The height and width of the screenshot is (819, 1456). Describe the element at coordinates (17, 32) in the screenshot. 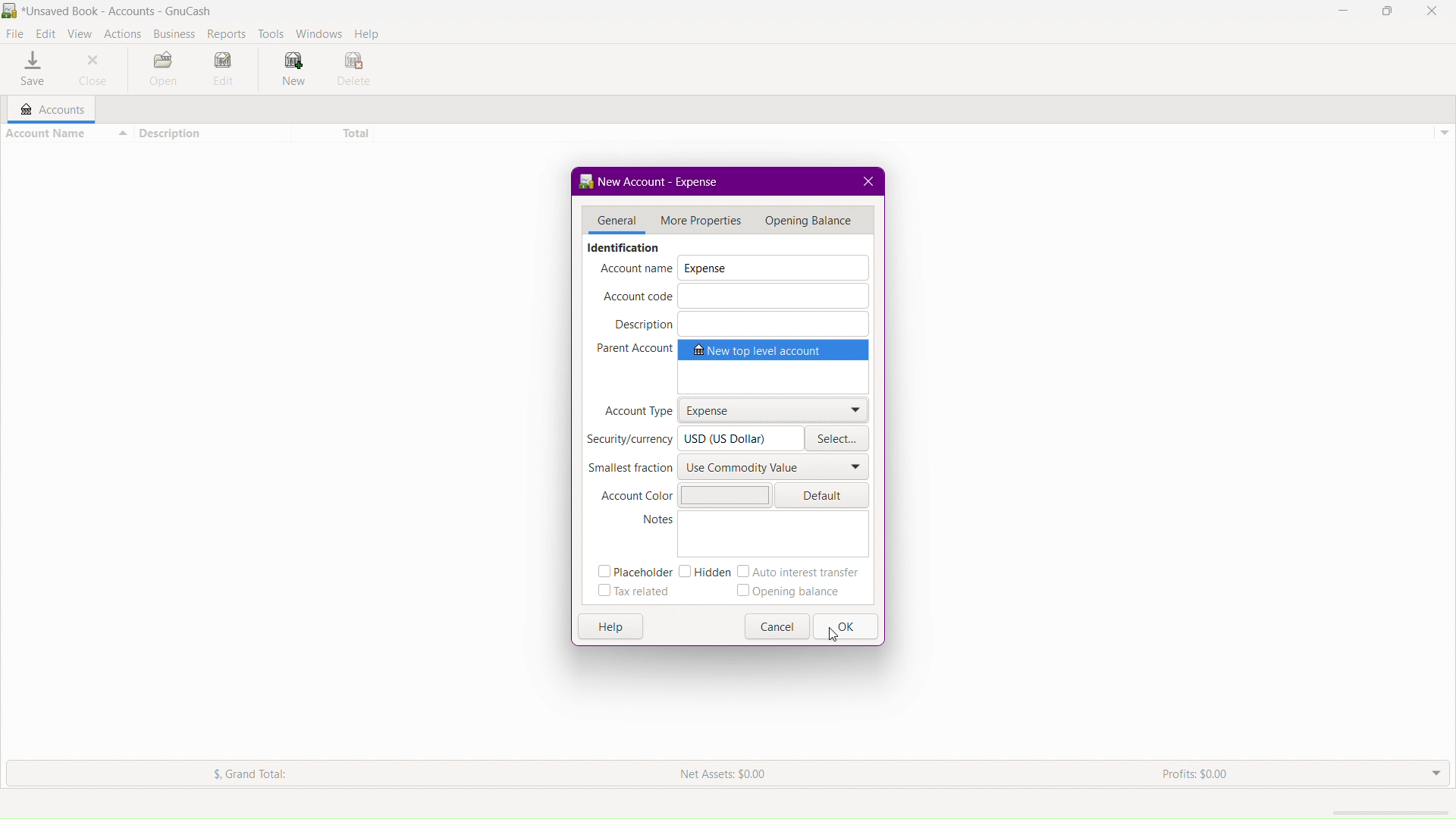

I see `File` at that location.